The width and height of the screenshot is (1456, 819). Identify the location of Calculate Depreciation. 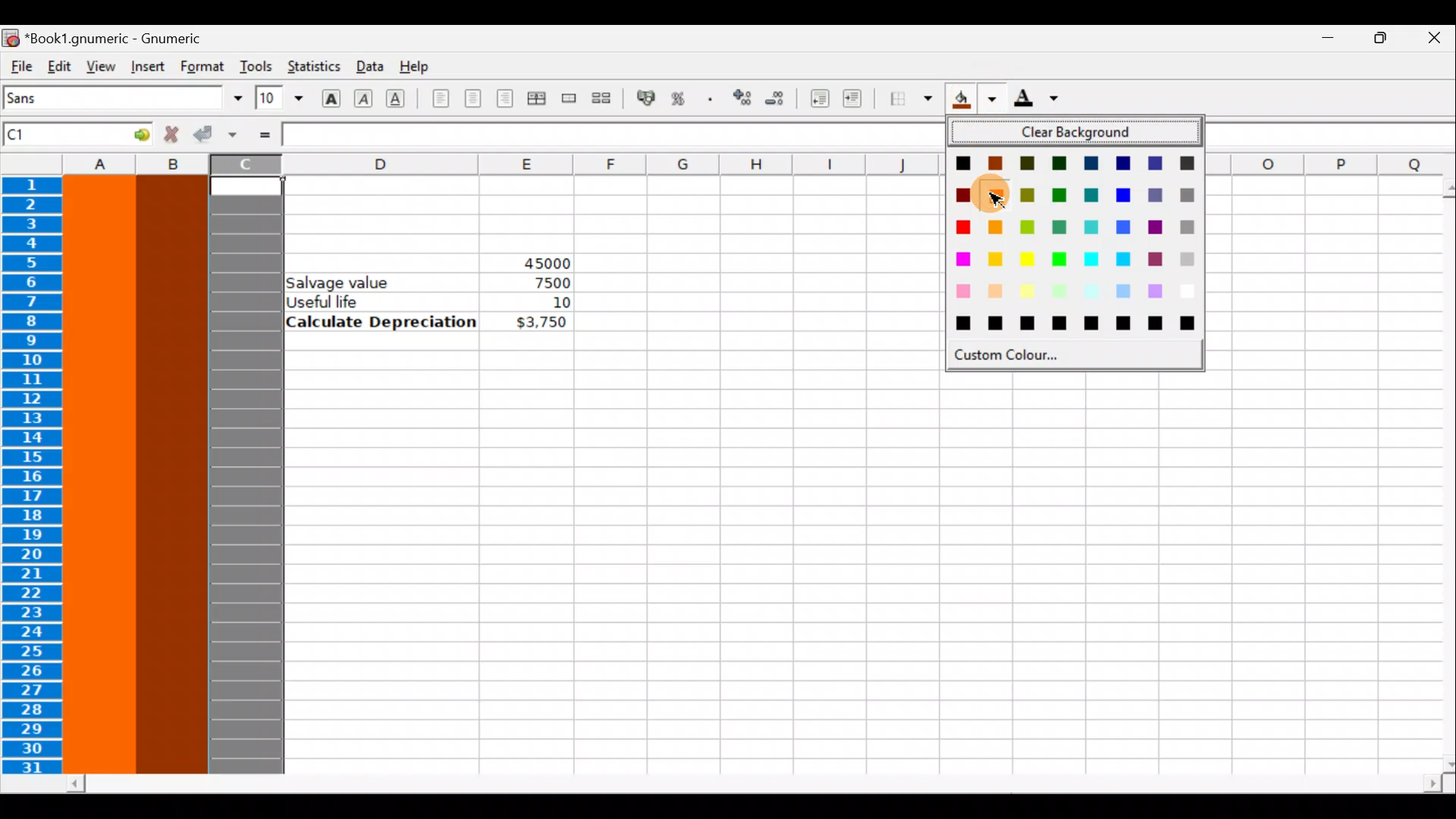
(381, 321).